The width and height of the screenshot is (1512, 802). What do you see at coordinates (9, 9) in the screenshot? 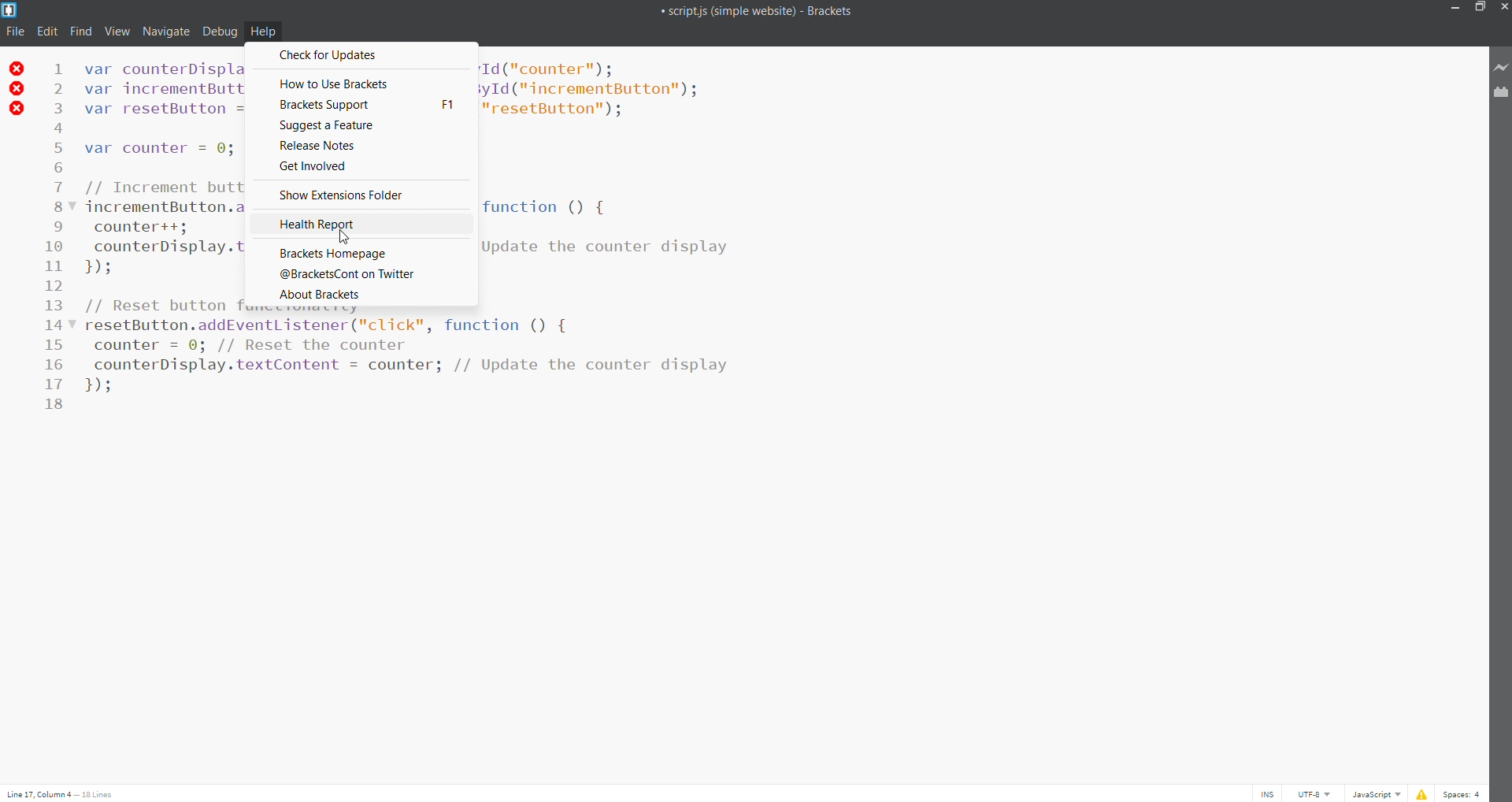
I see `bracket's logo` at bounding box center [9, 9].